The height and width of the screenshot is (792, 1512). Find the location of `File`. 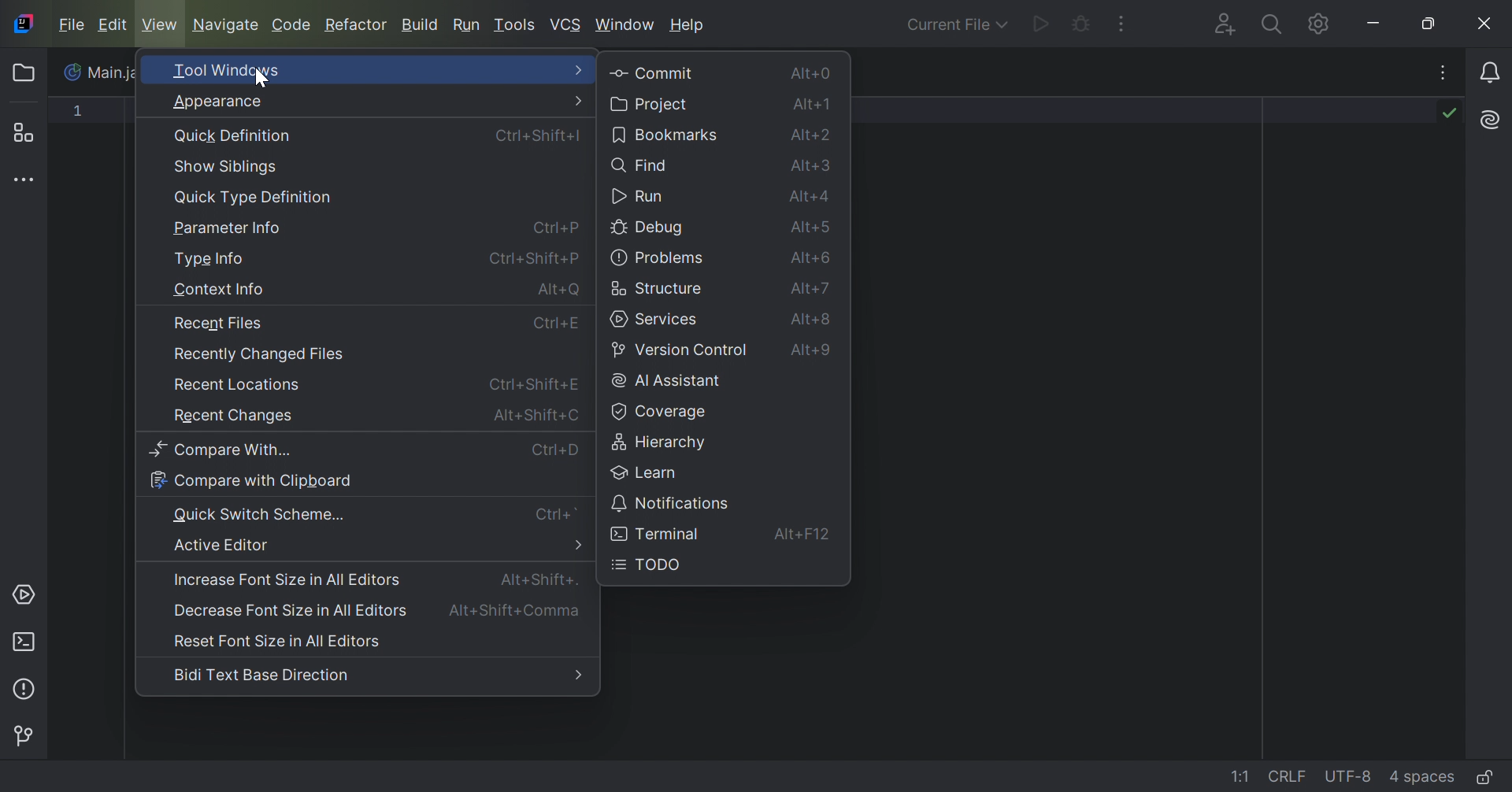

File is located at coordinates (69, 24).